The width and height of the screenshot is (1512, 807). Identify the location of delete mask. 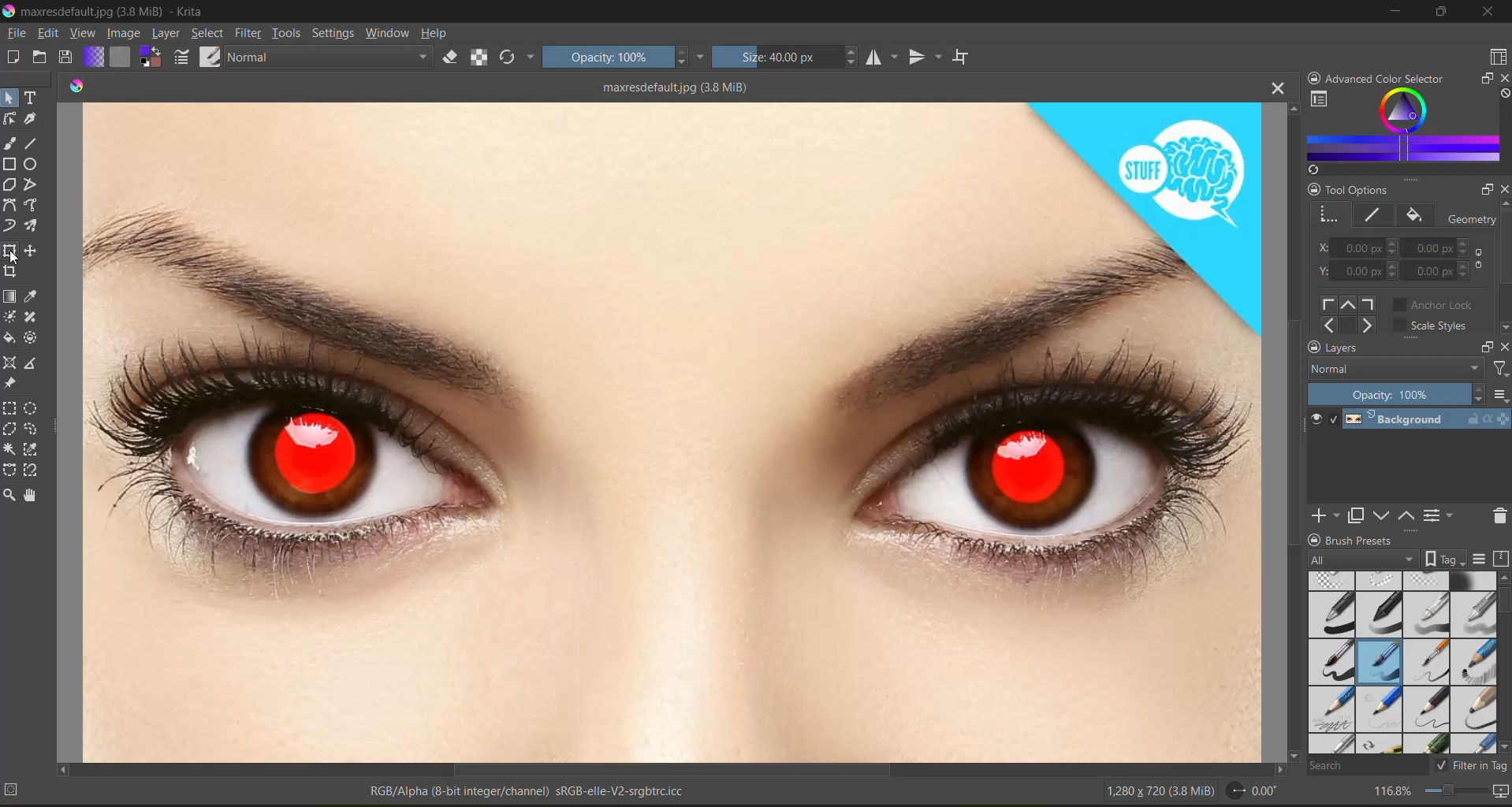
(1501, 516).